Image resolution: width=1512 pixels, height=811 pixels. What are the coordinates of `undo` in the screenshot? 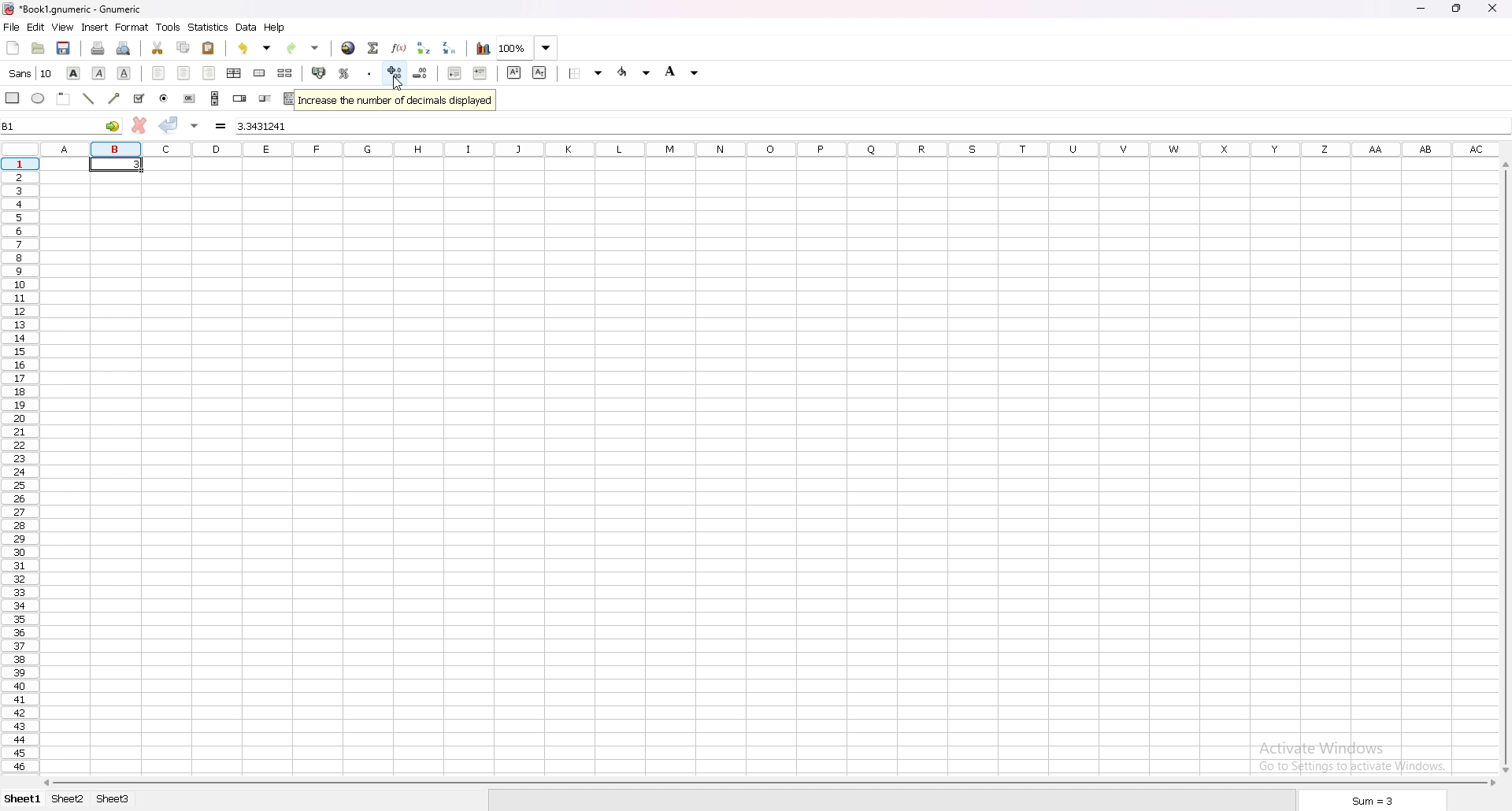 It's located at (256, 47).